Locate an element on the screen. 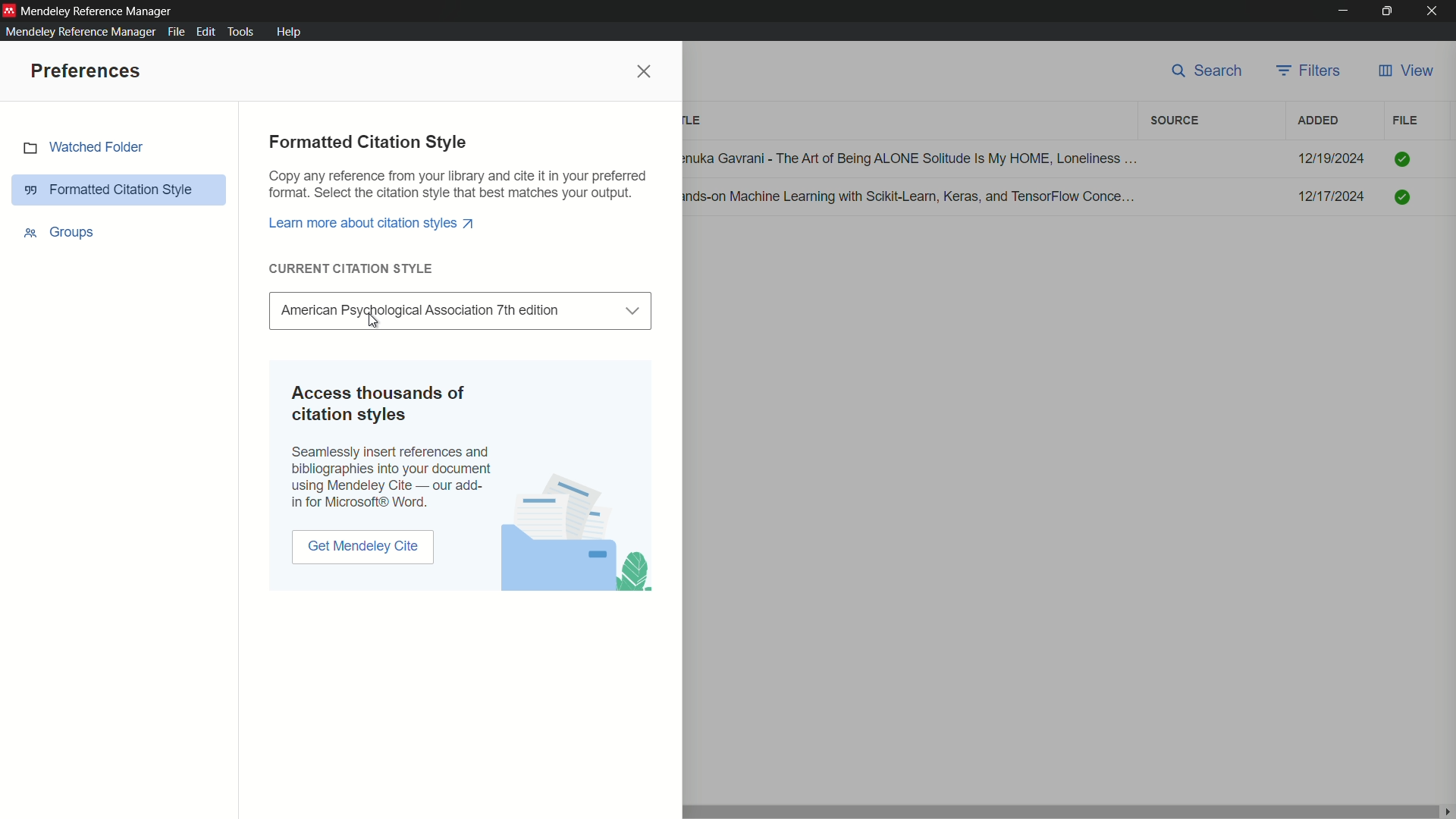  help menu is located at coordinates (288, 31).